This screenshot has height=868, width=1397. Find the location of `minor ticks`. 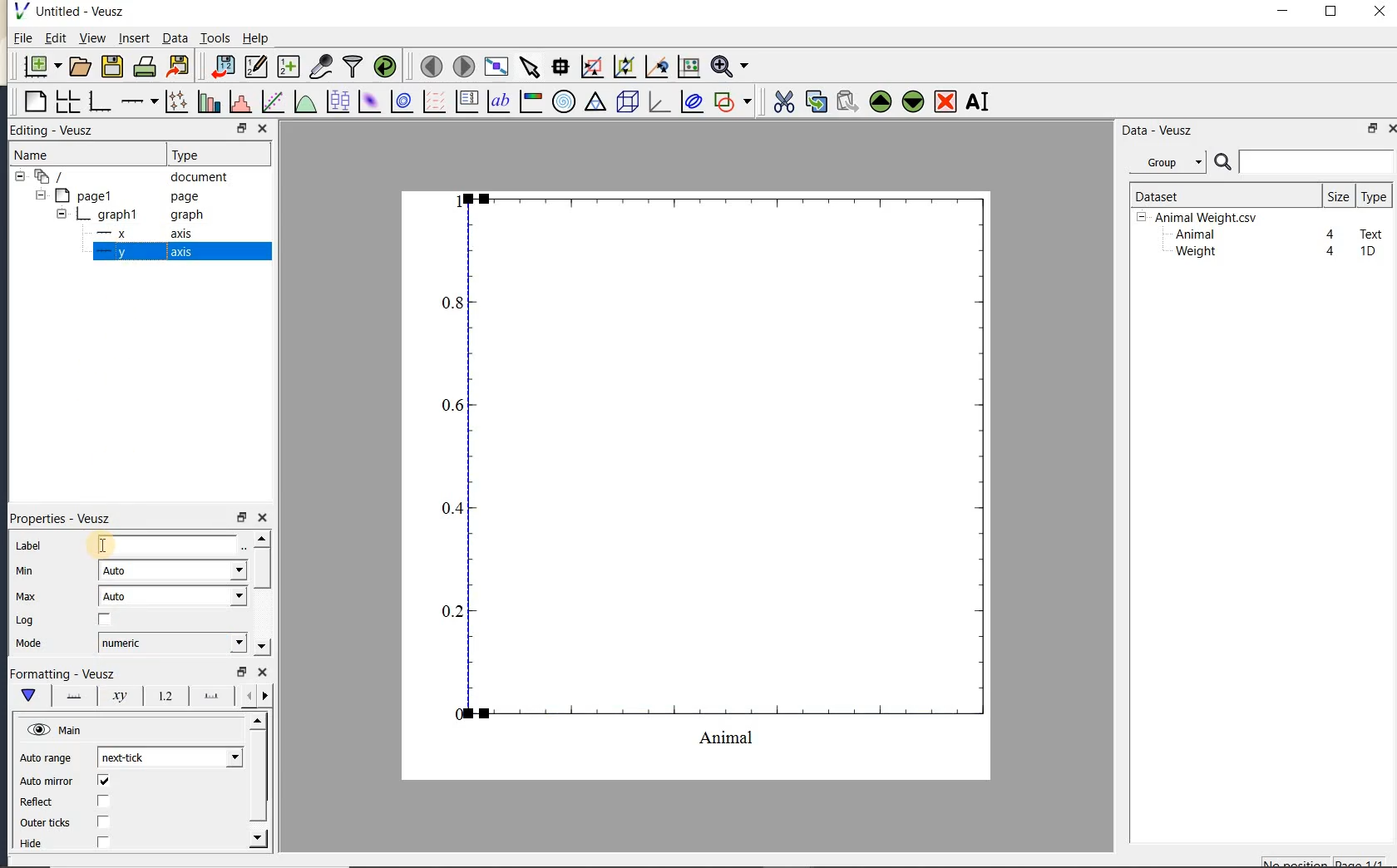

minor ticks is located at coordinates (254, 696).